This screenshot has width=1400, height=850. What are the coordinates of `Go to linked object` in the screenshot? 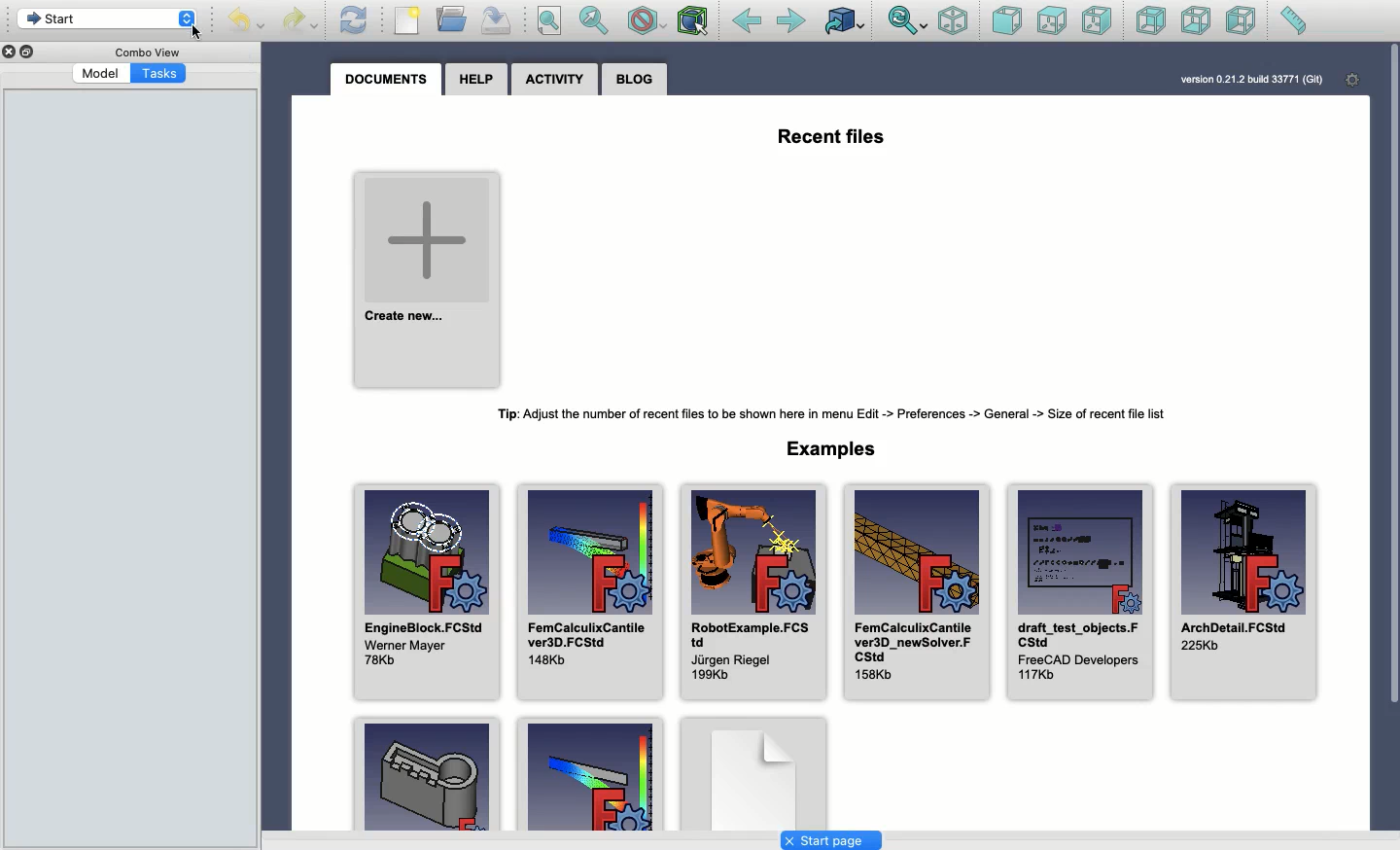 It's located at (845, 22).